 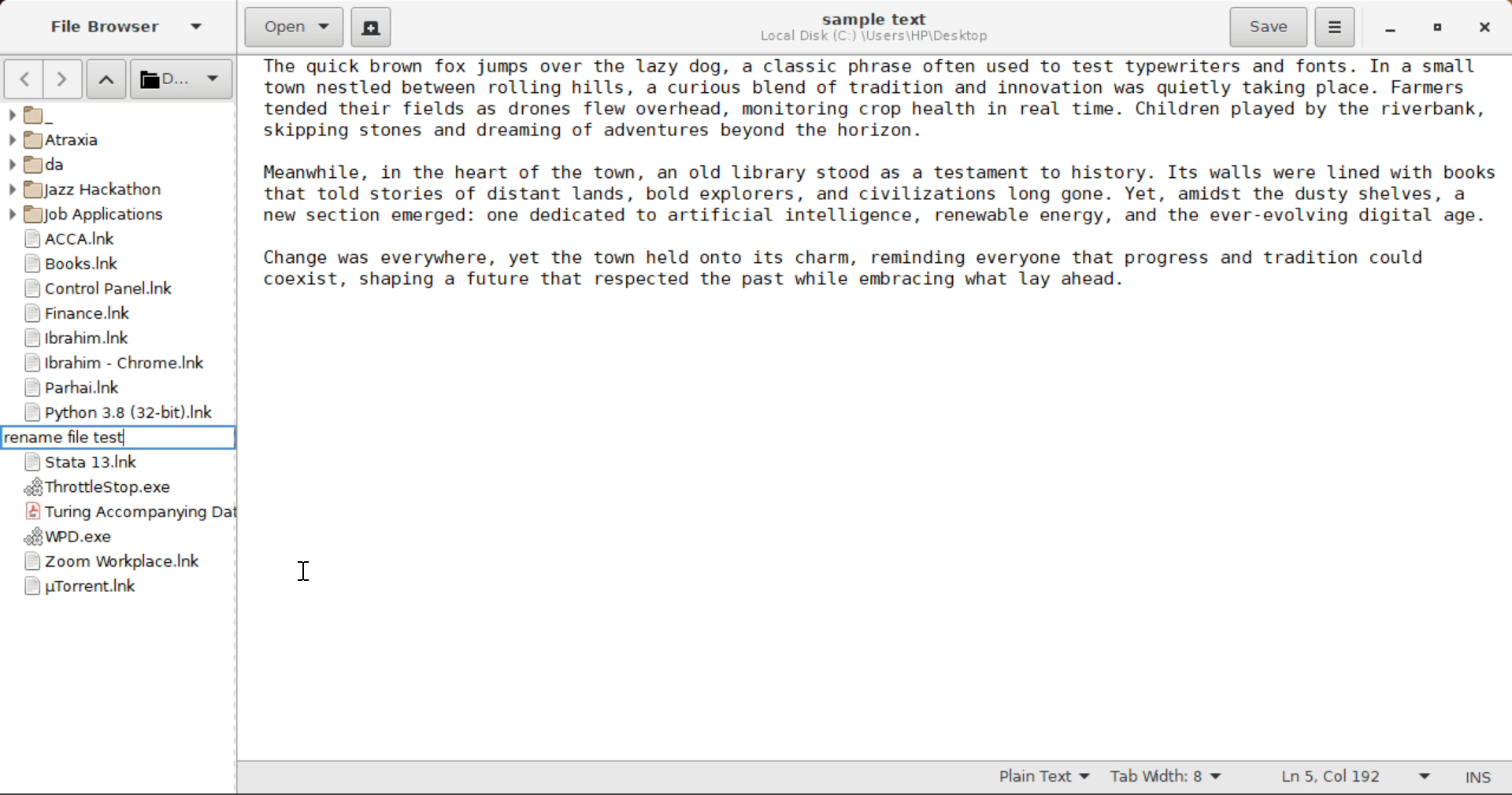 What do you see at coordinates (107, 80) in the screenshot?
I see `Move Folder Up` at bounding box center [107, 80].